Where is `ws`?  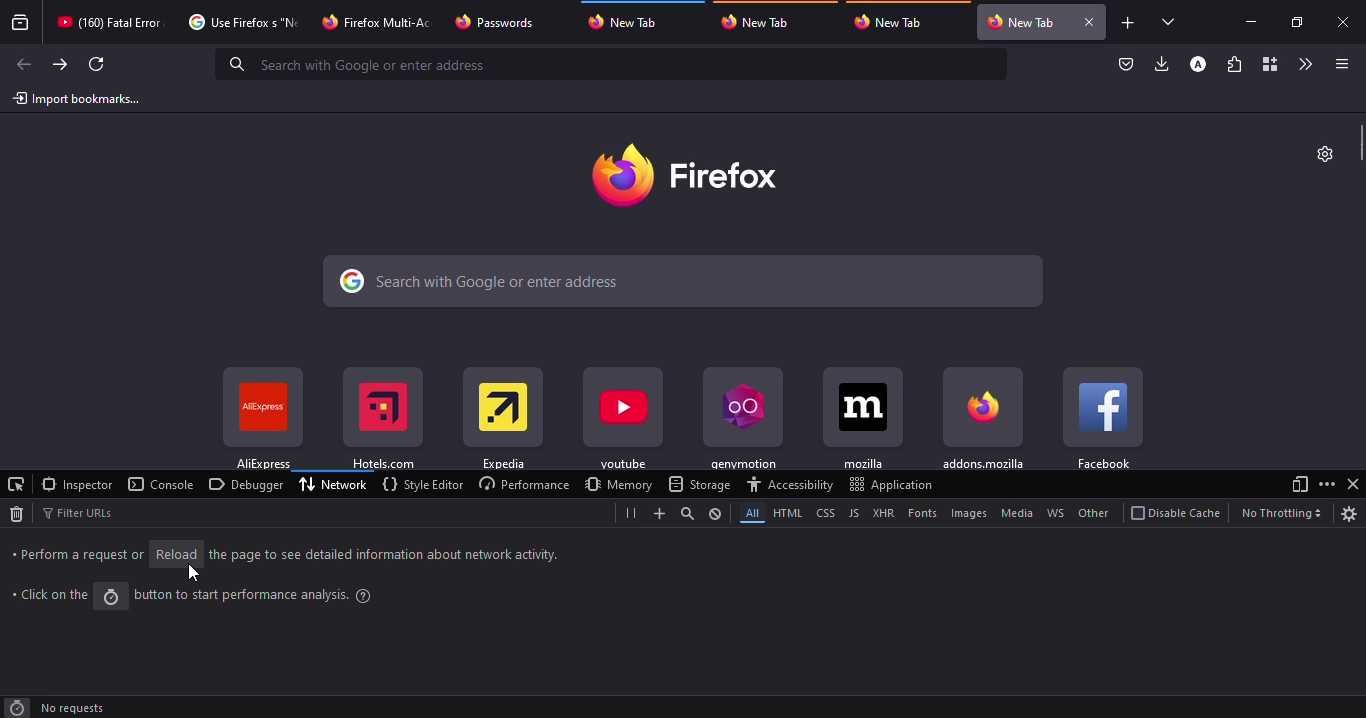 ws is located at coordinates (1056, 513).